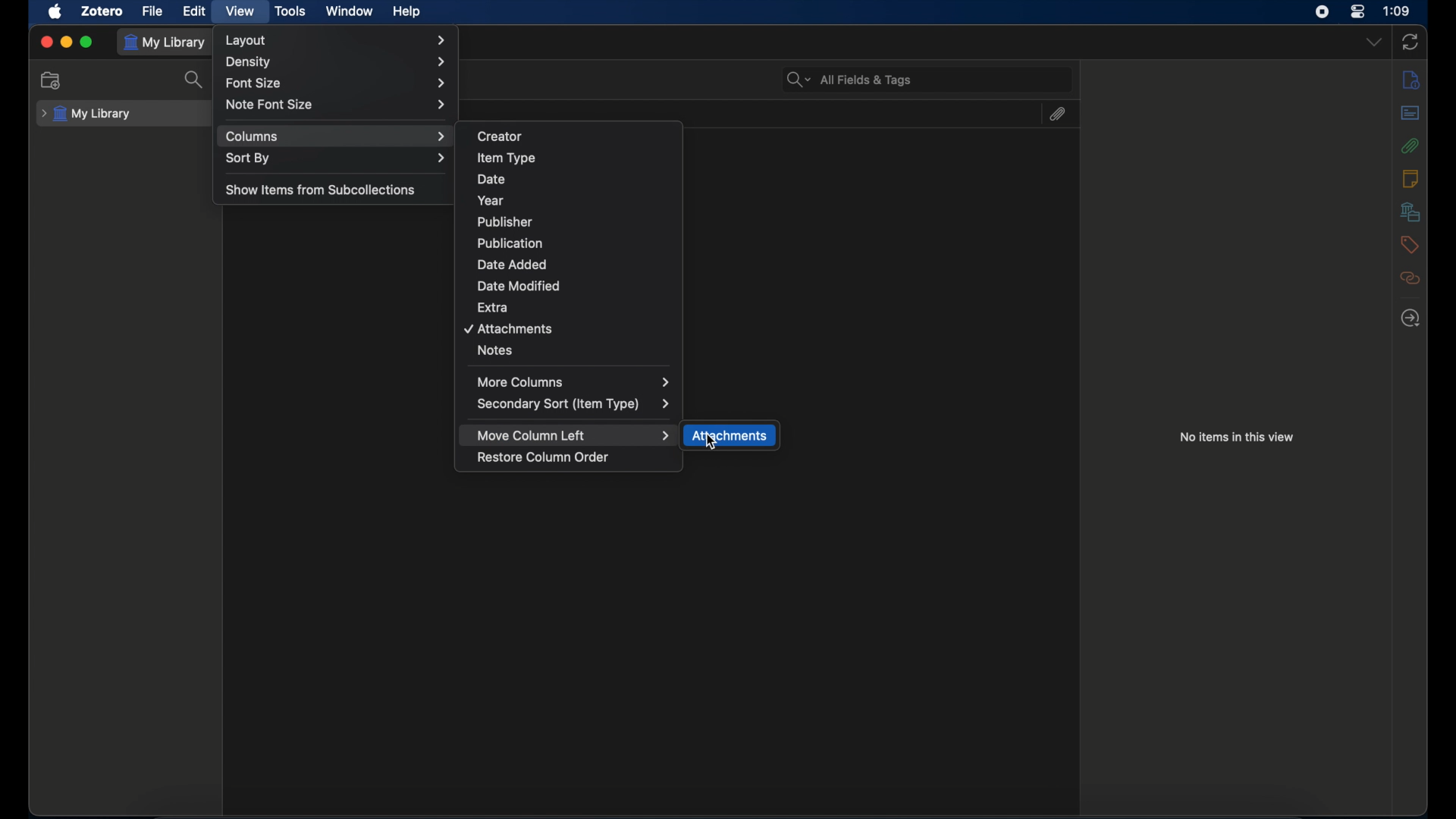 This screenshot has height=819, width=1456. I want to click on zotero, so click(102, 12).